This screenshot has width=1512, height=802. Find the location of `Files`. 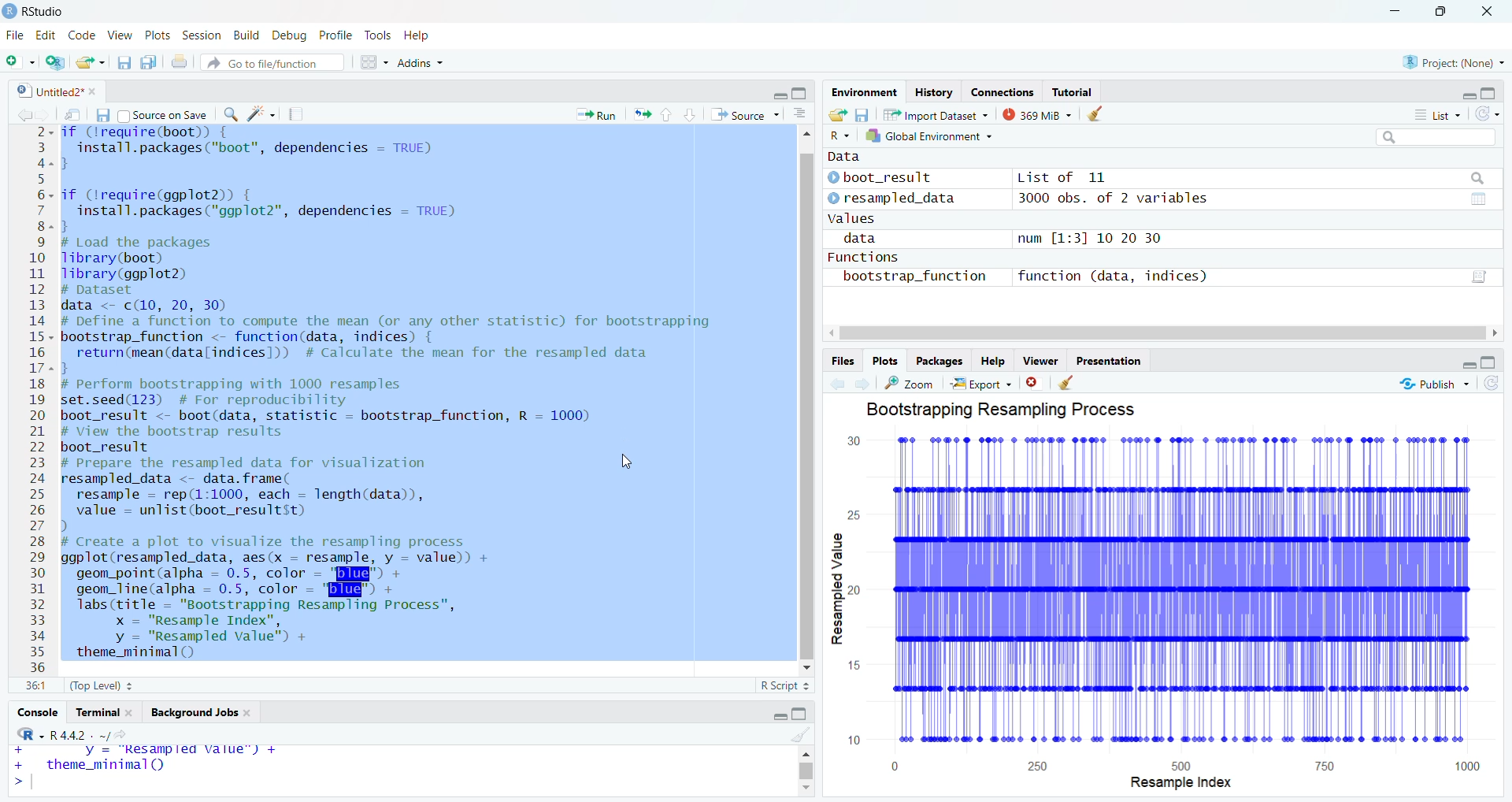

Files is located at coordinates (840, 359).